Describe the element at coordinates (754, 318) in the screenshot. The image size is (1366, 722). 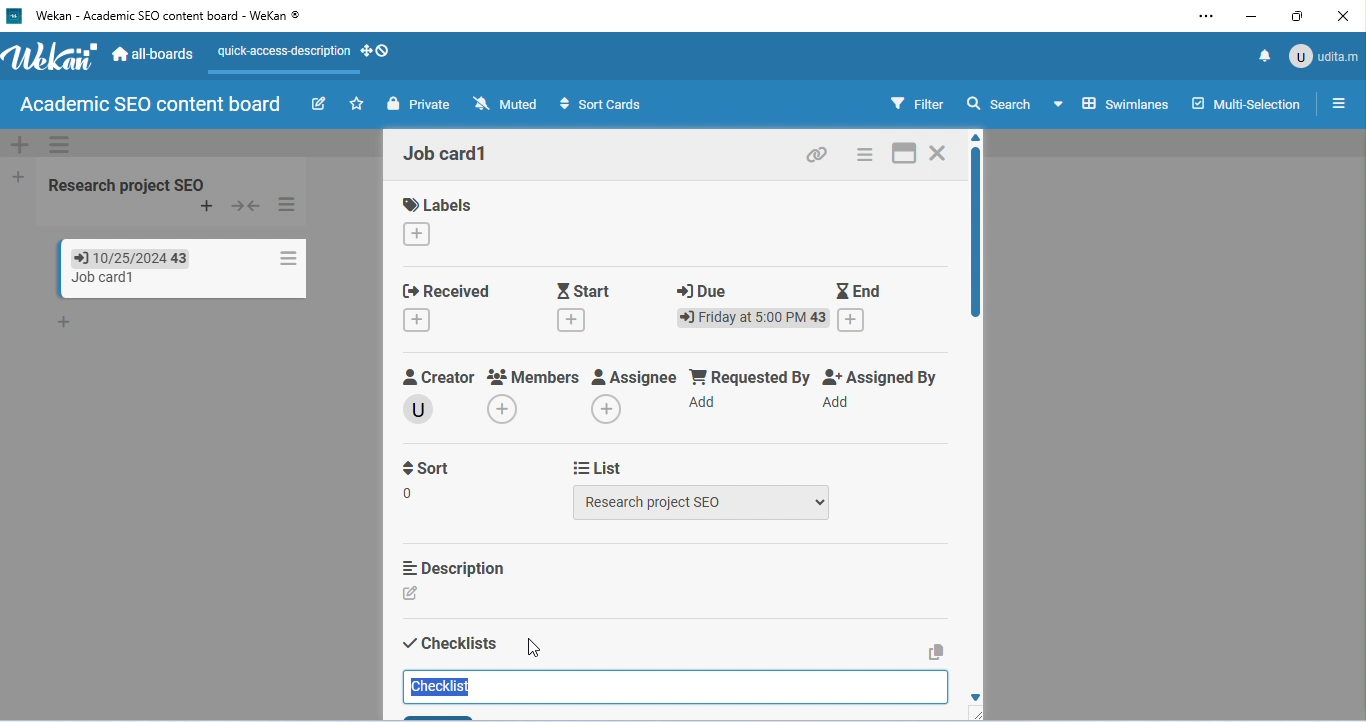
I see `due date and time` at that location.